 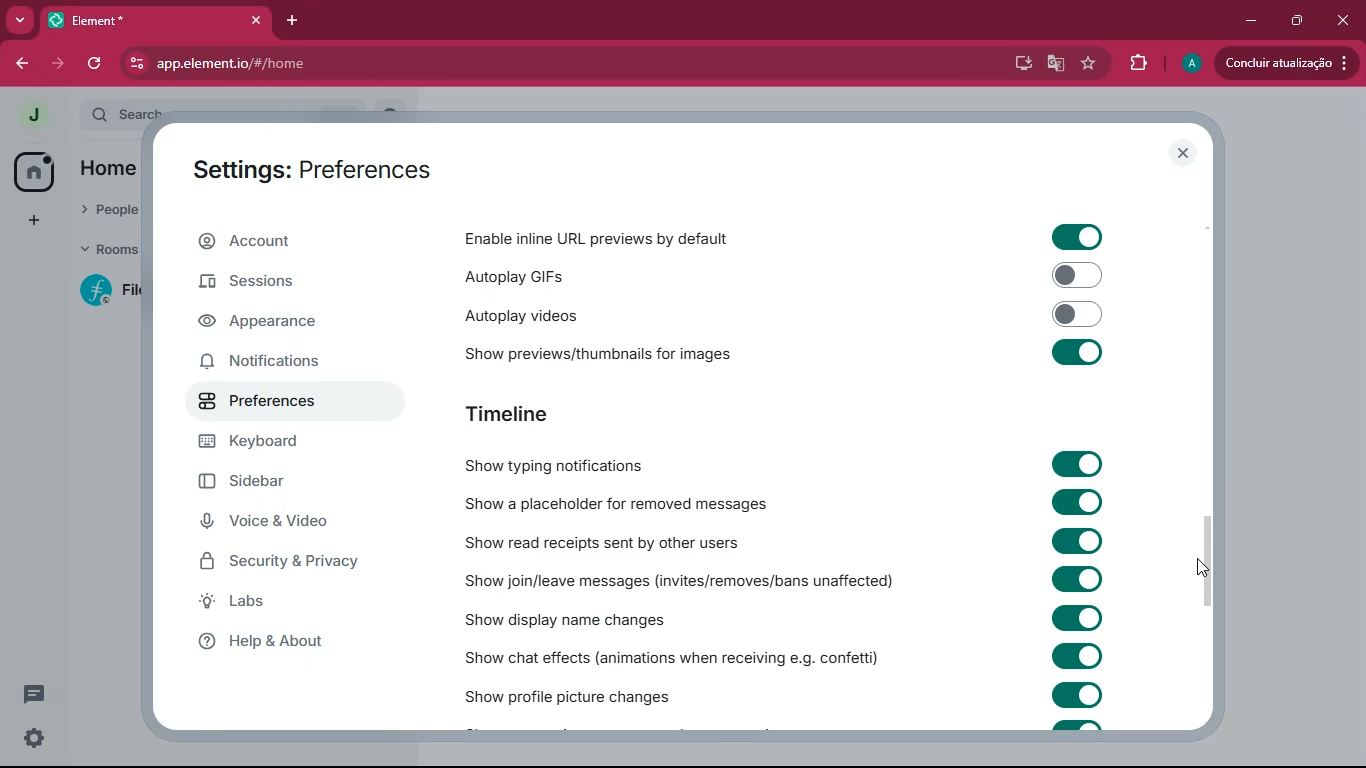 What do you see at coordinates (288, 639) in the screenshot?
I see `help & about` at bounding box center [288, 639].